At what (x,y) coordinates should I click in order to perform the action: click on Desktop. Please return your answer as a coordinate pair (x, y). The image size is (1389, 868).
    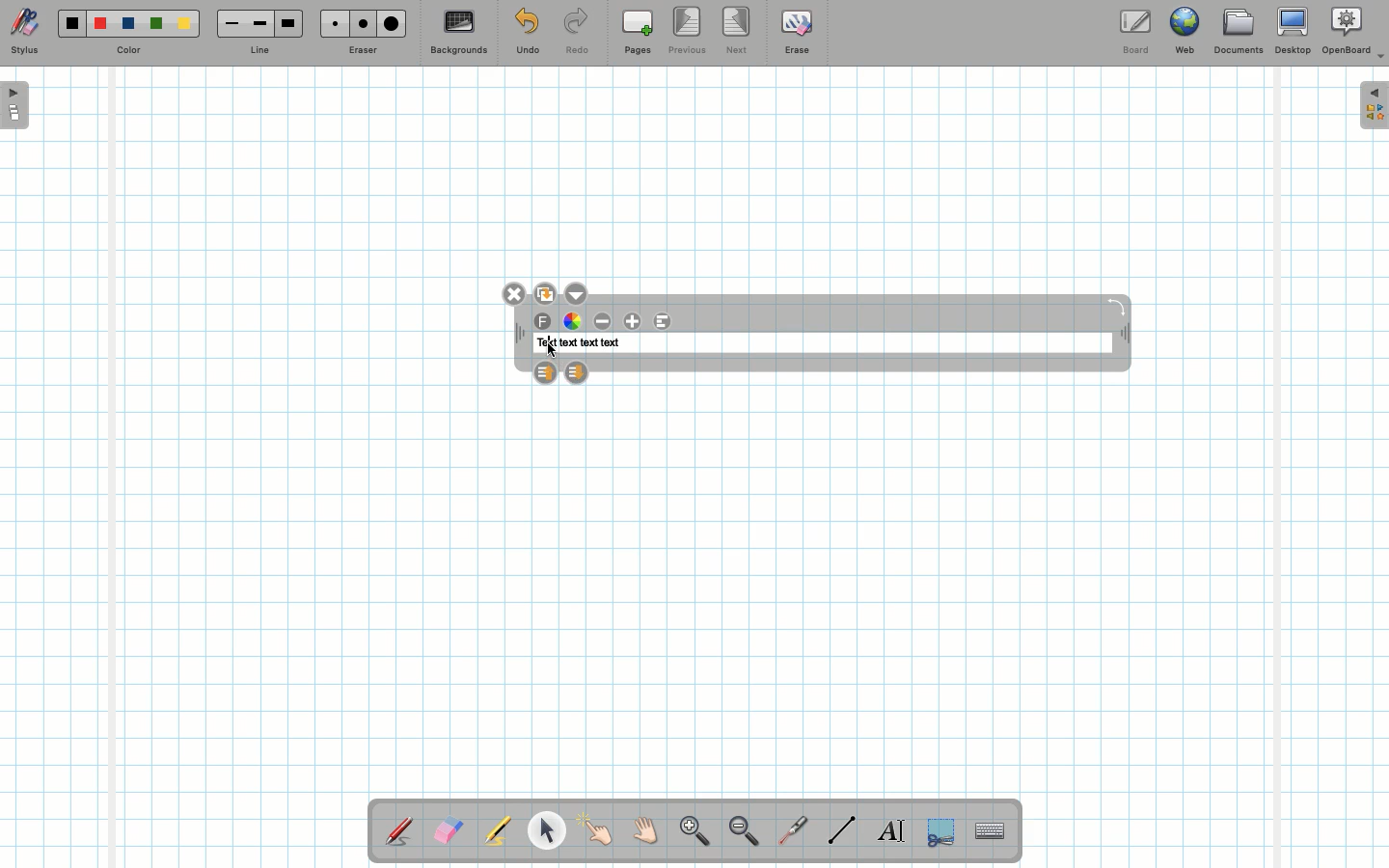
    Looking at the image, I should click on (1295, 31).